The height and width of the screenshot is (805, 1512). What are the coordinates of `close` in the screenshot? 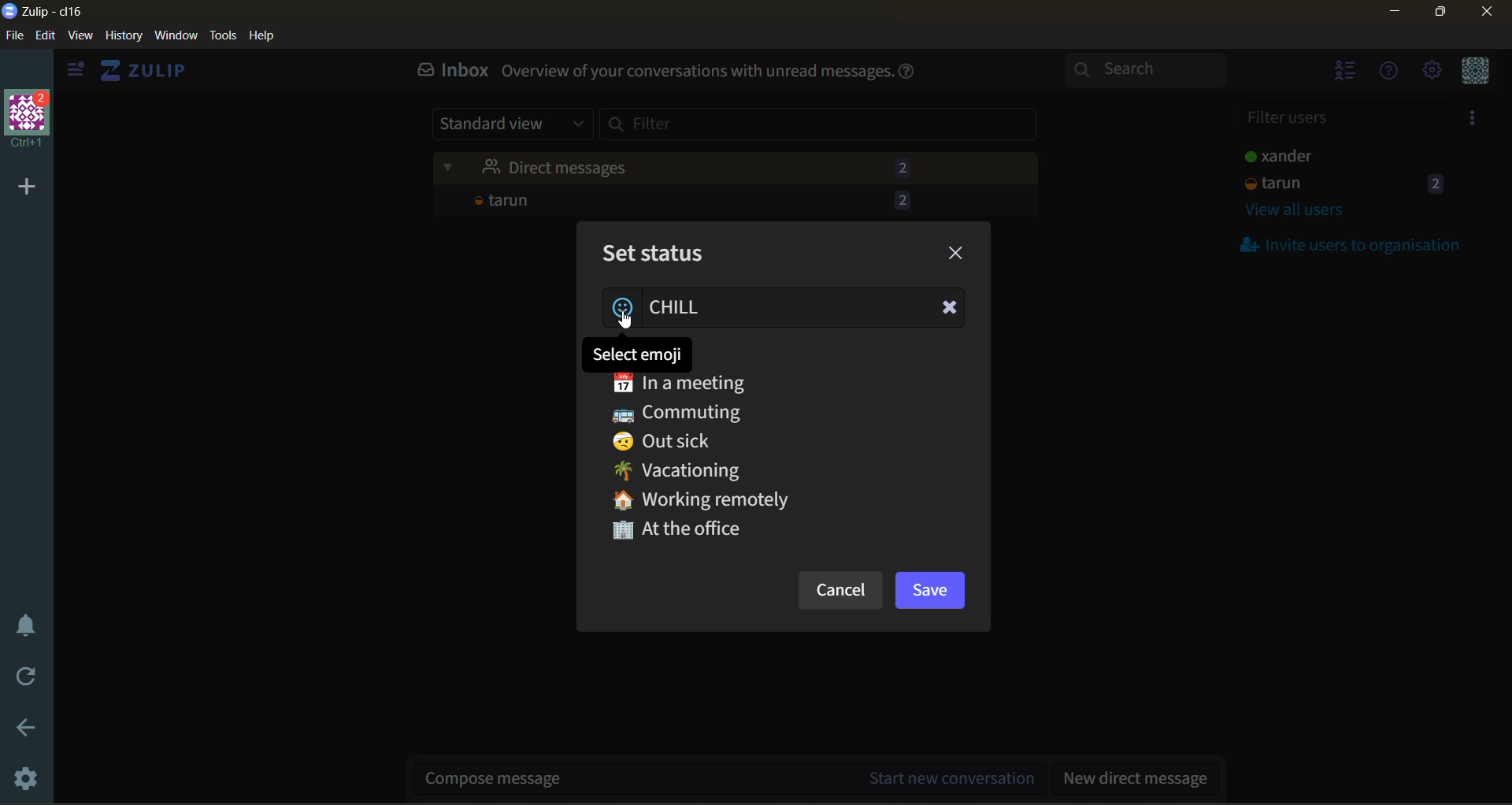 It's located at (962, 250).